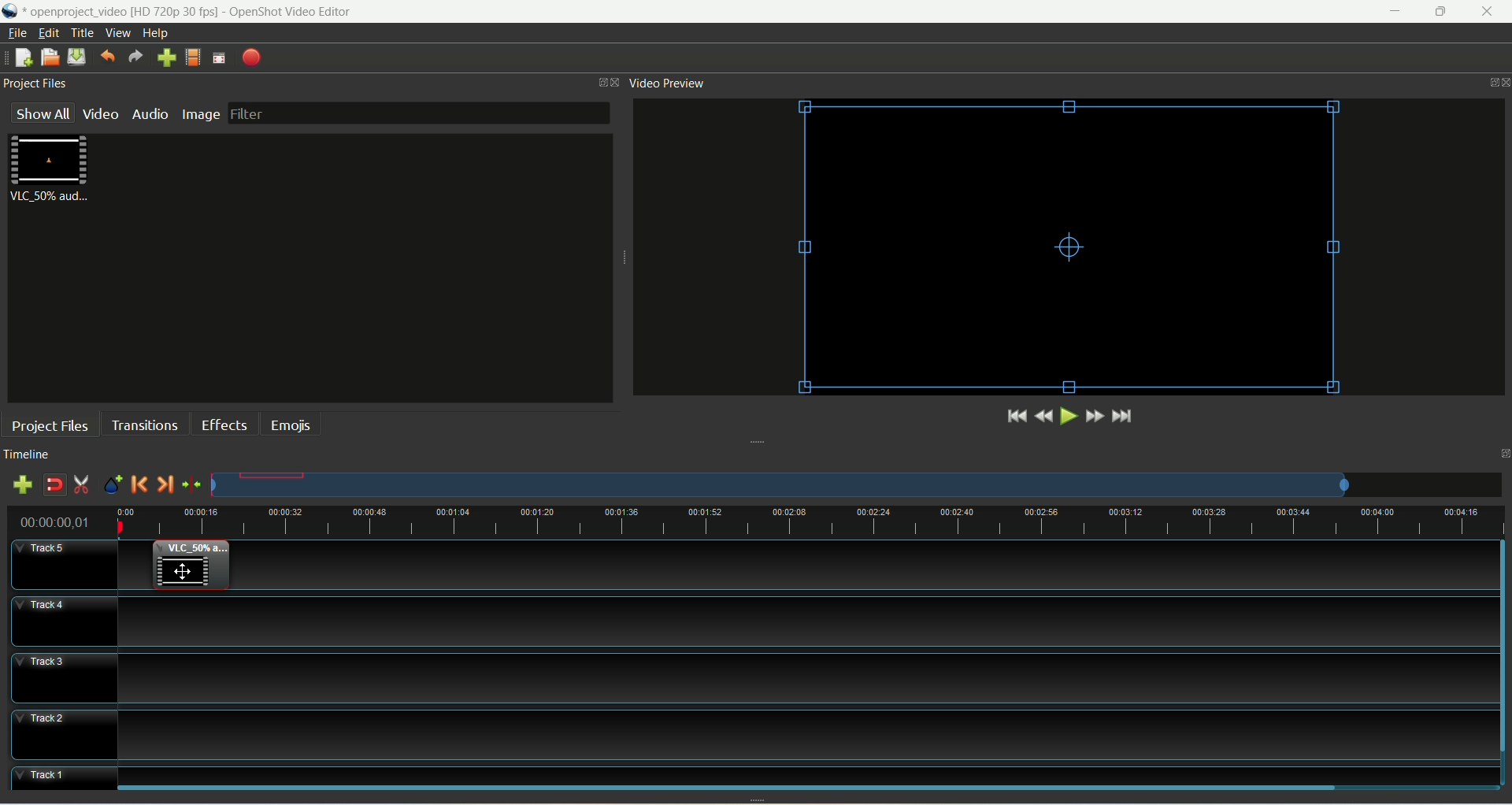  I want to click on play, so click(1067, 416).